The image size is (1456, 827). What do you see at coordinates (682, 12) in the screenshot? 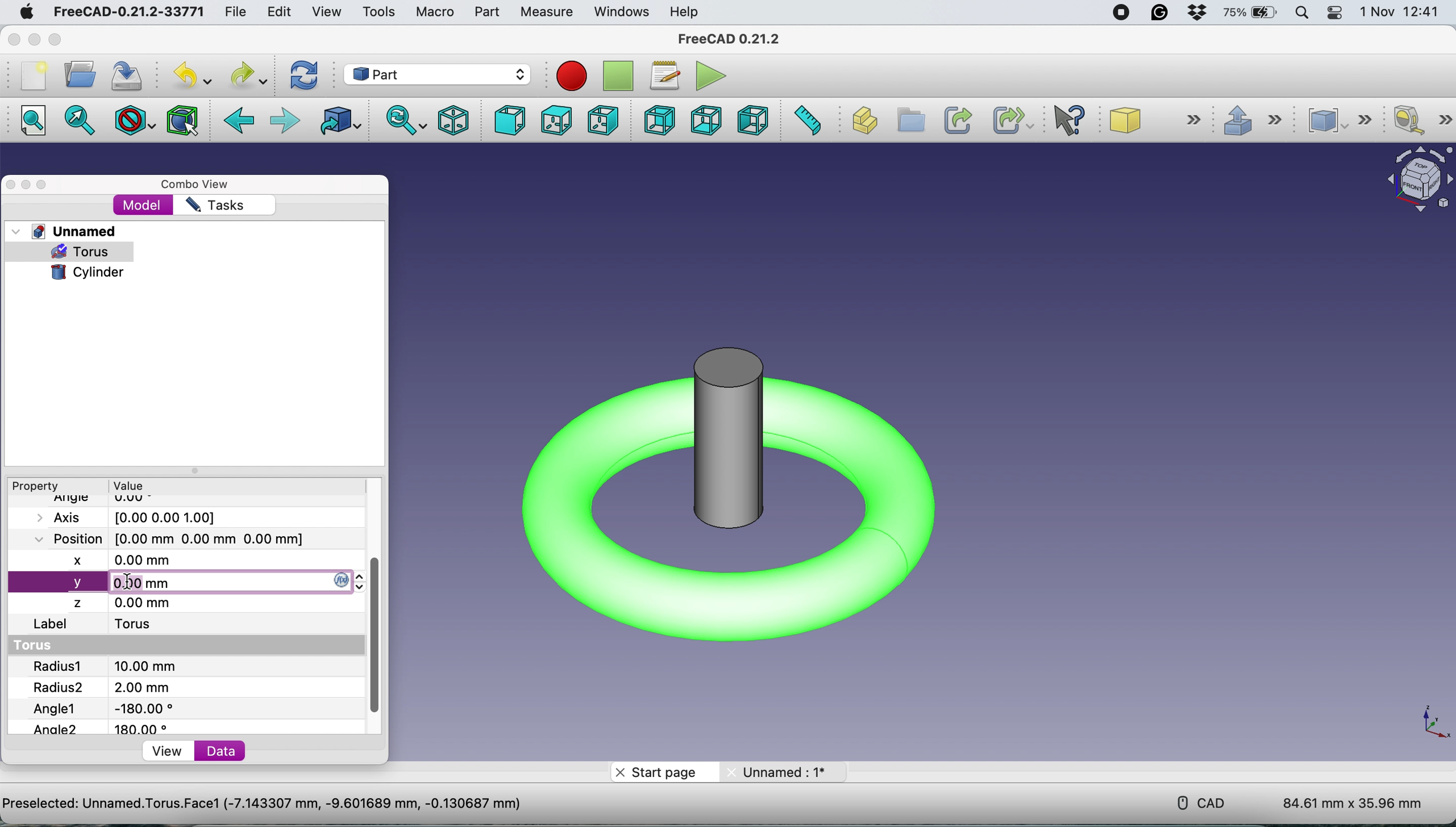
I see `help` at bounding box center [682, 12].